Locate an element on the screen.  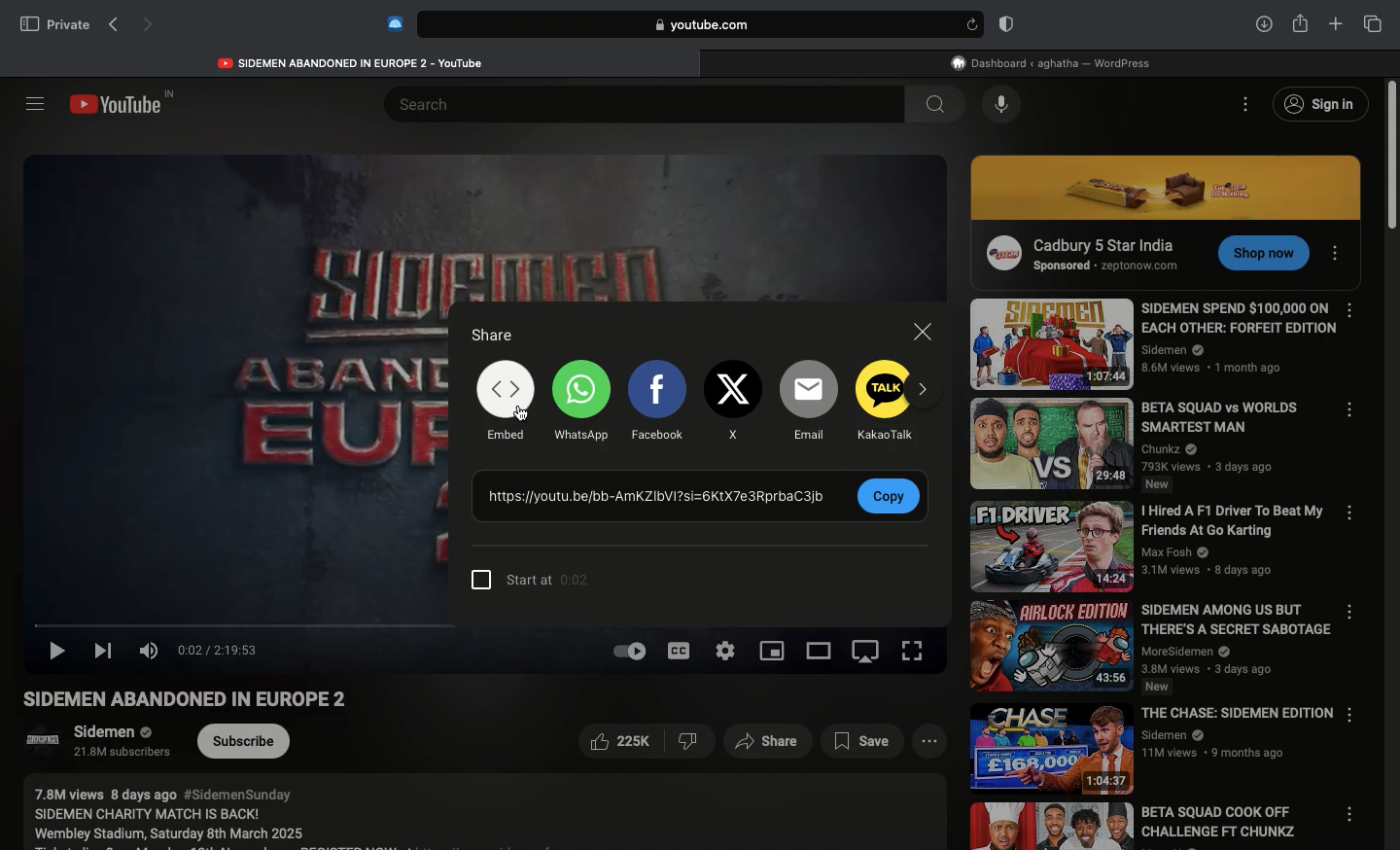
Video name is located at coordinates (205, 700).